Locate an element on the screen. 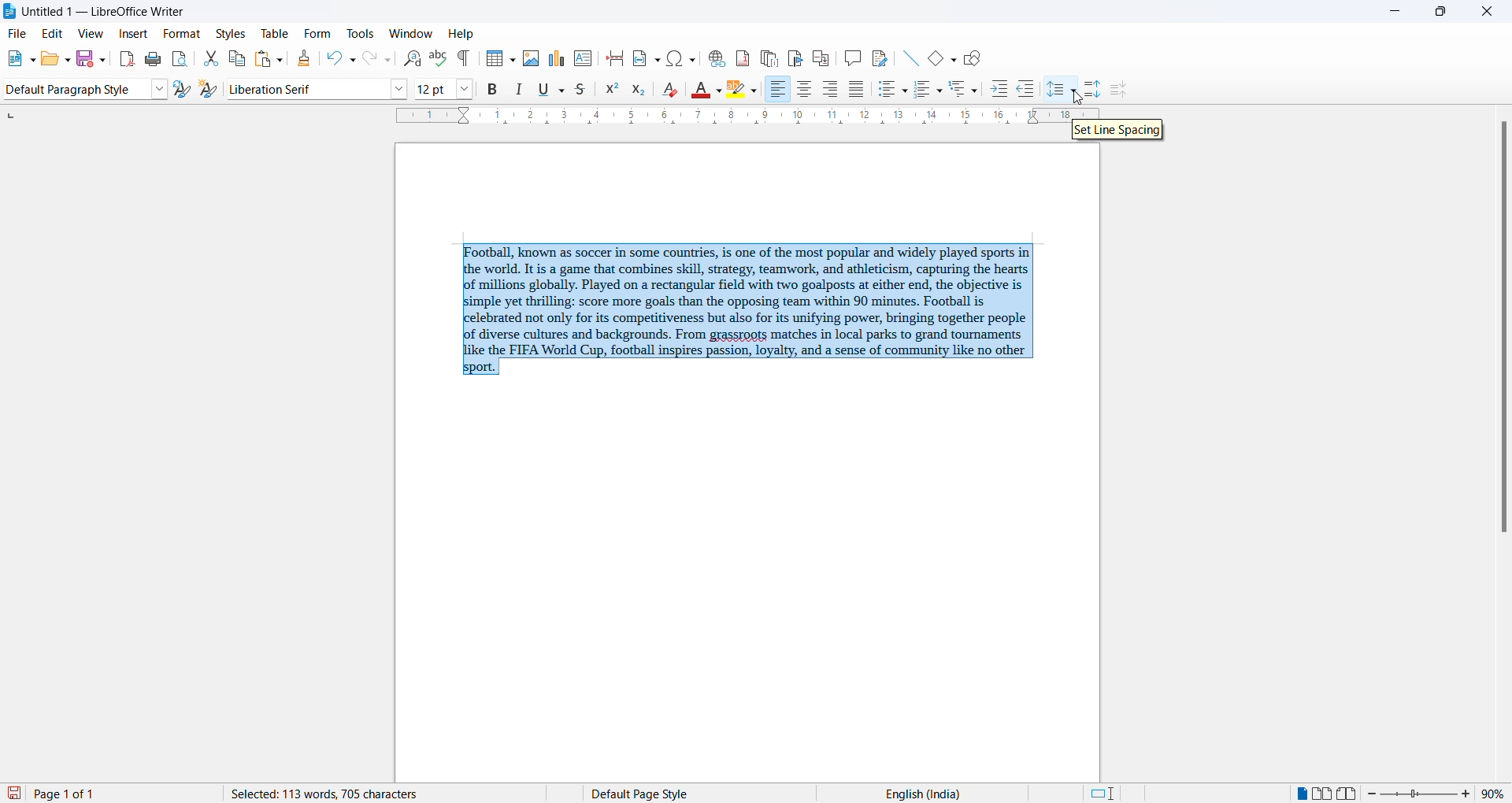 The width and height of the screenshot is (1512, 803). decrease indent  is located at coordinates (1027, 88).